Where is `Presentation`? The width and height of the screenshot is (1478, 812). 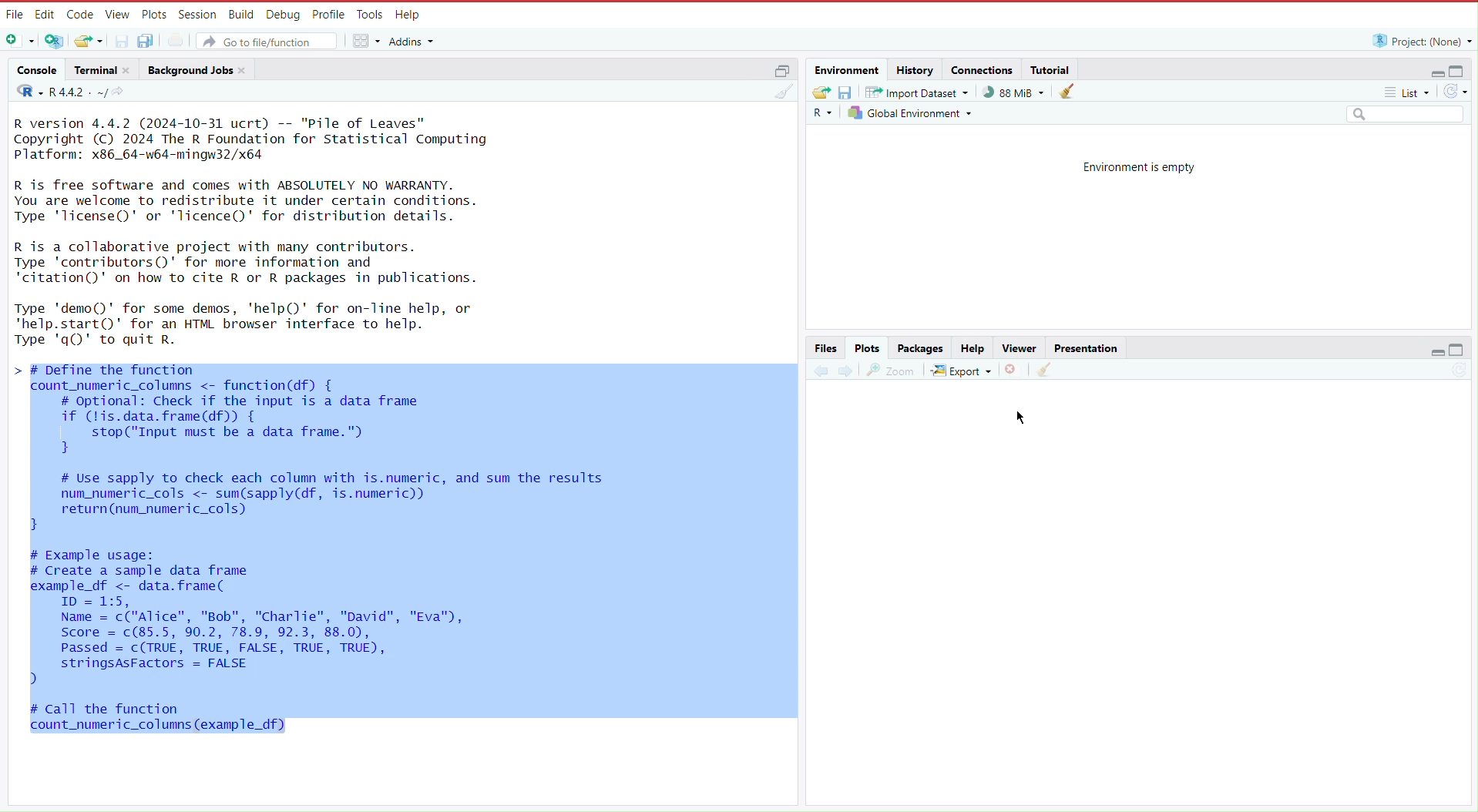
Presentation is located at coordinates (1086, 347).